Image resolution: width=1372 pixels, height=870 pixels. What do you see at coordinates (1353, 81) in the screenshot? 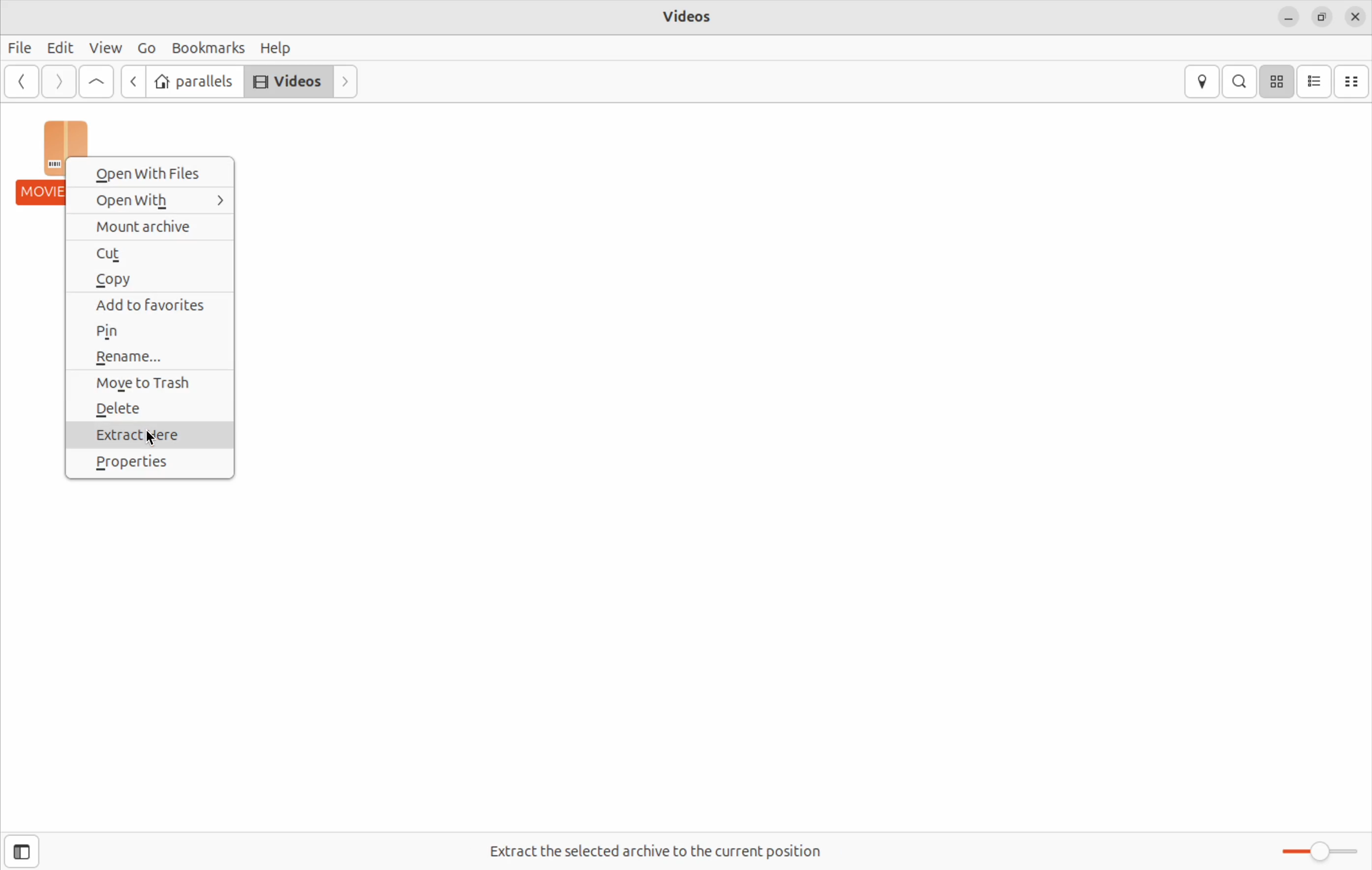
I see `compact view` at bounding box center [1353, 81].